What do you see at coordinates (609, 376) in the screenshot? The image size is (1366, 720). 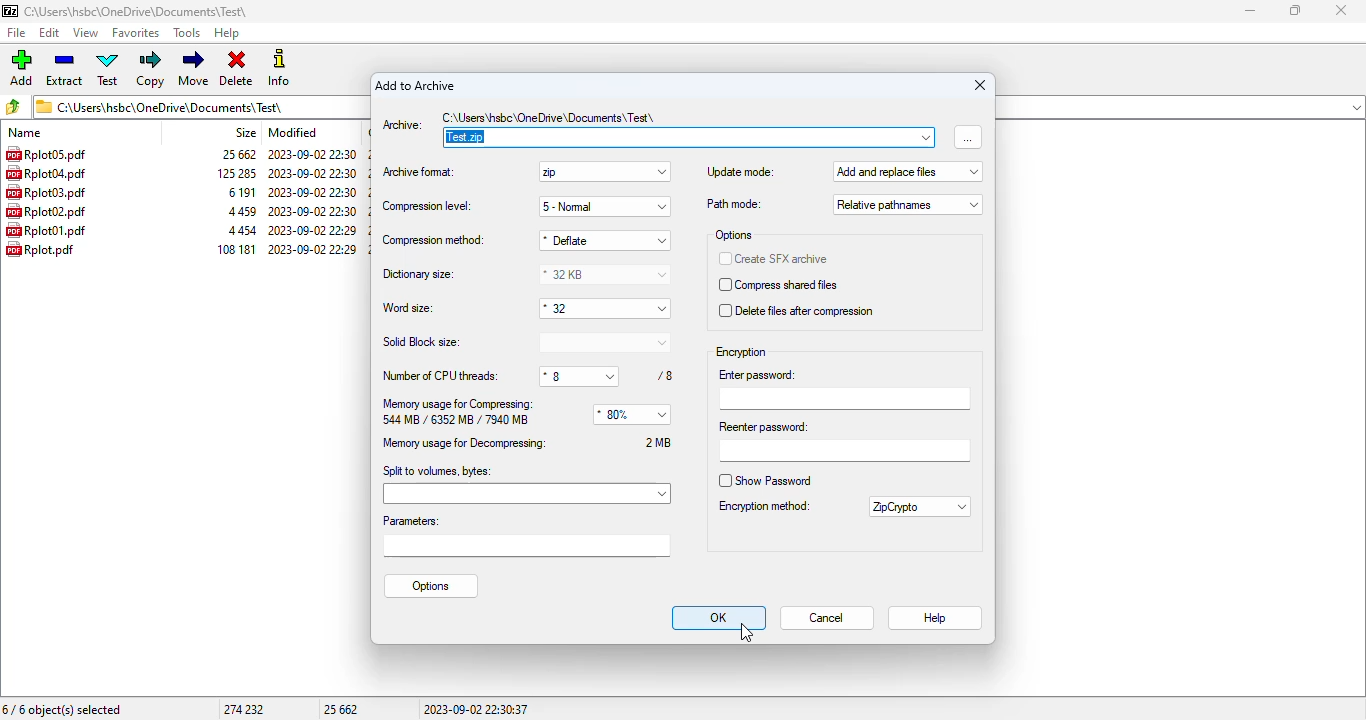 I see `*8/8` at bounding box center [609, 376].